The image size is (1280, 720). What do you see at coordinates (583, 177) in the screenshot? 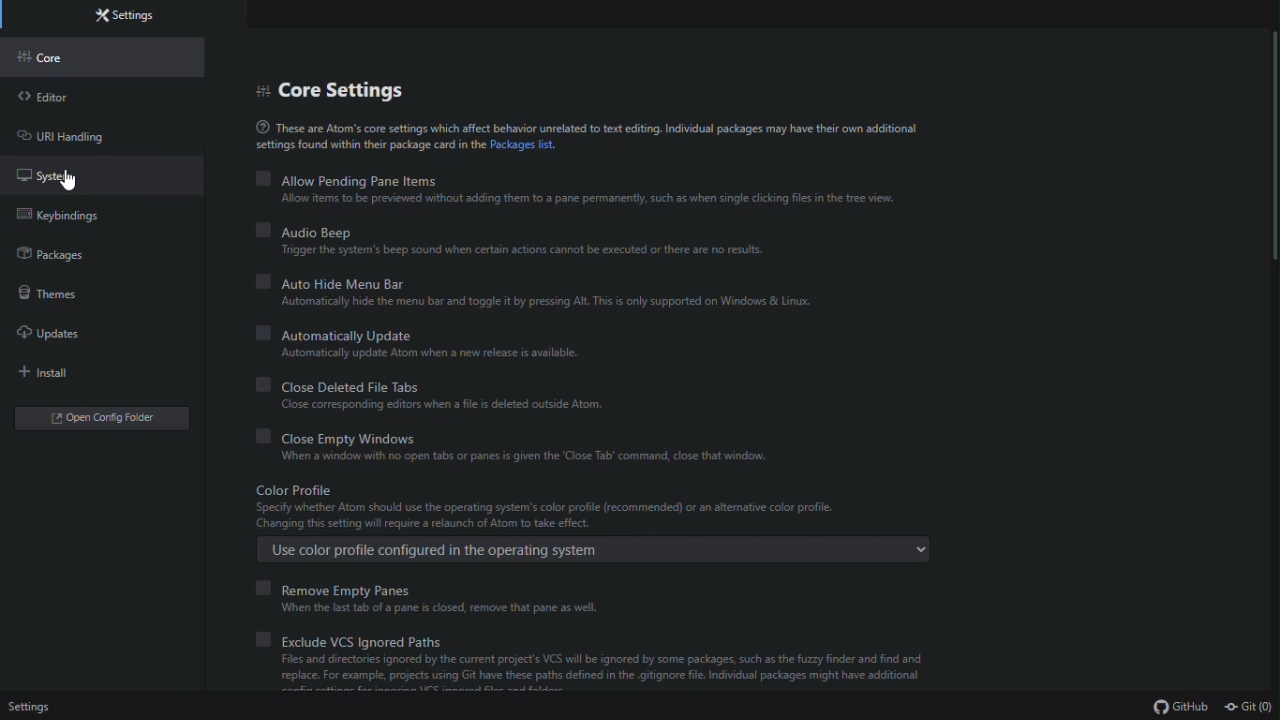
I see `Allow Pending Pane itemsAllow items to be previewed without adding them to. pane permanently, such as when single clicking les in the tree view.` at bounding box center [583, 177].